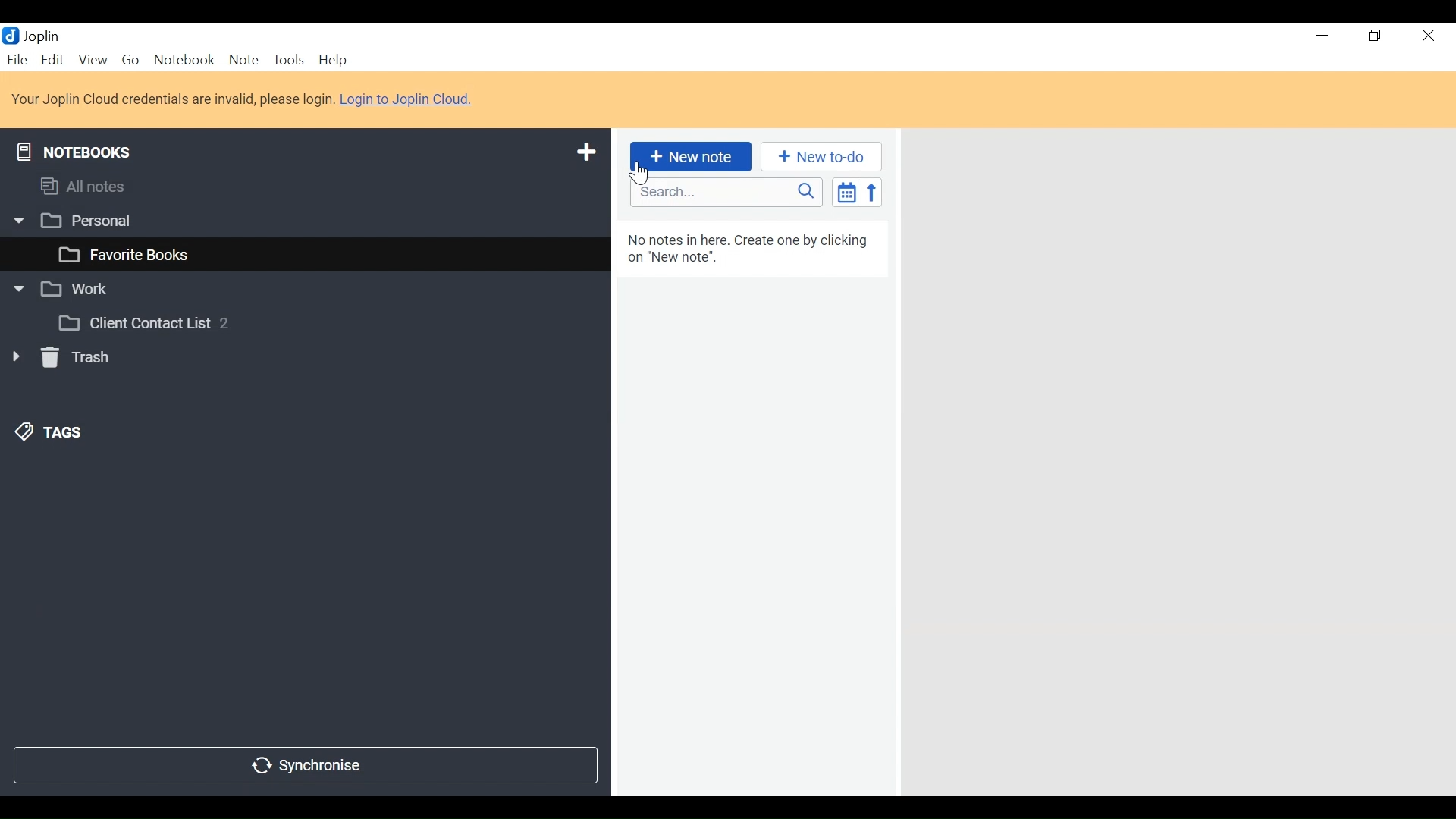 The width and height of the screenshot is (1456, 819). What do you see at coordinates (818, 157) in the screenshot?
I see `New to do` at bounding box center [818, 157].